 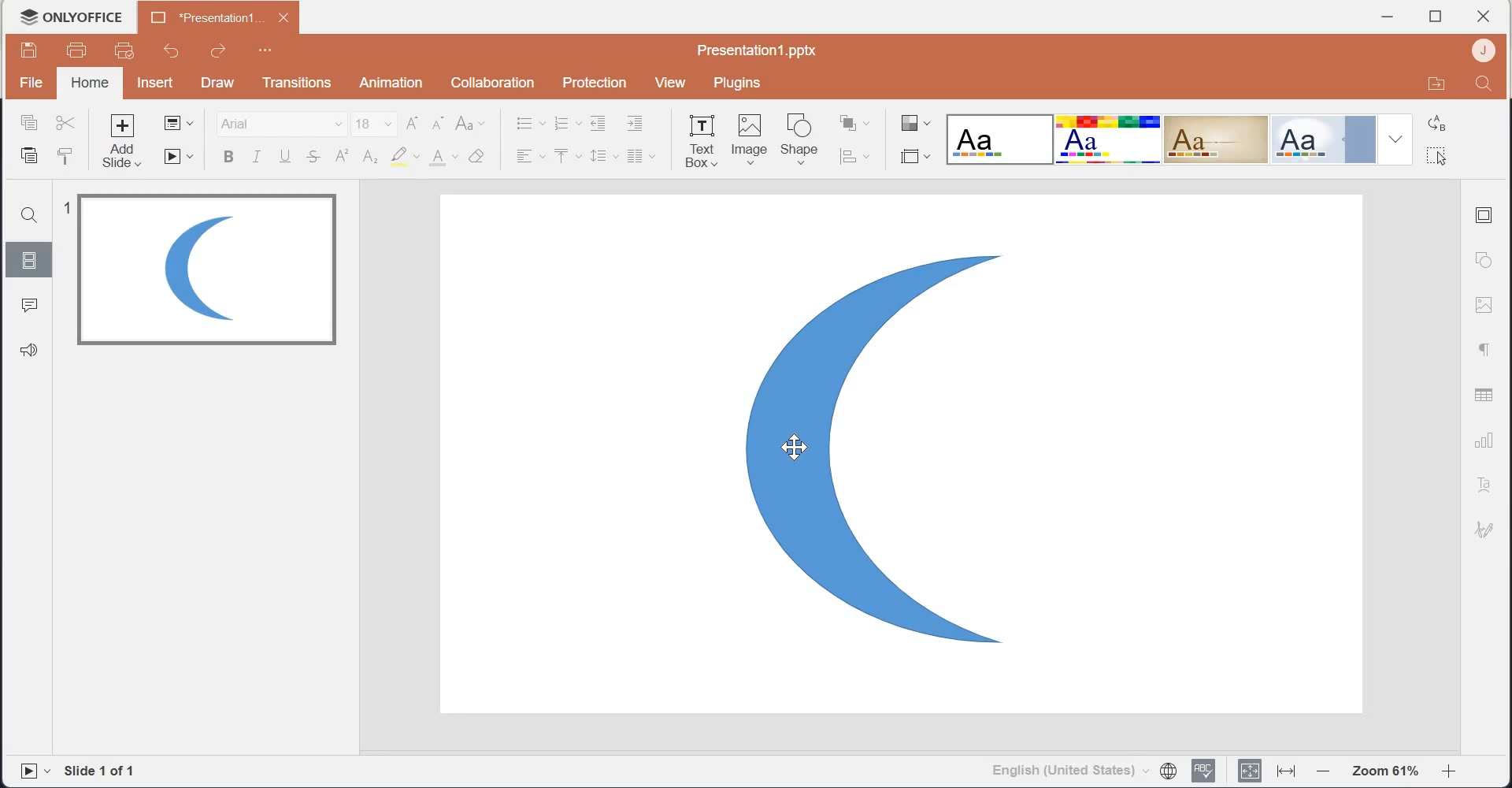 What do you see at coordinates (1064, 773) in the screenshot?
I see `English(United Stated)` at bounding box center [1064, 773].